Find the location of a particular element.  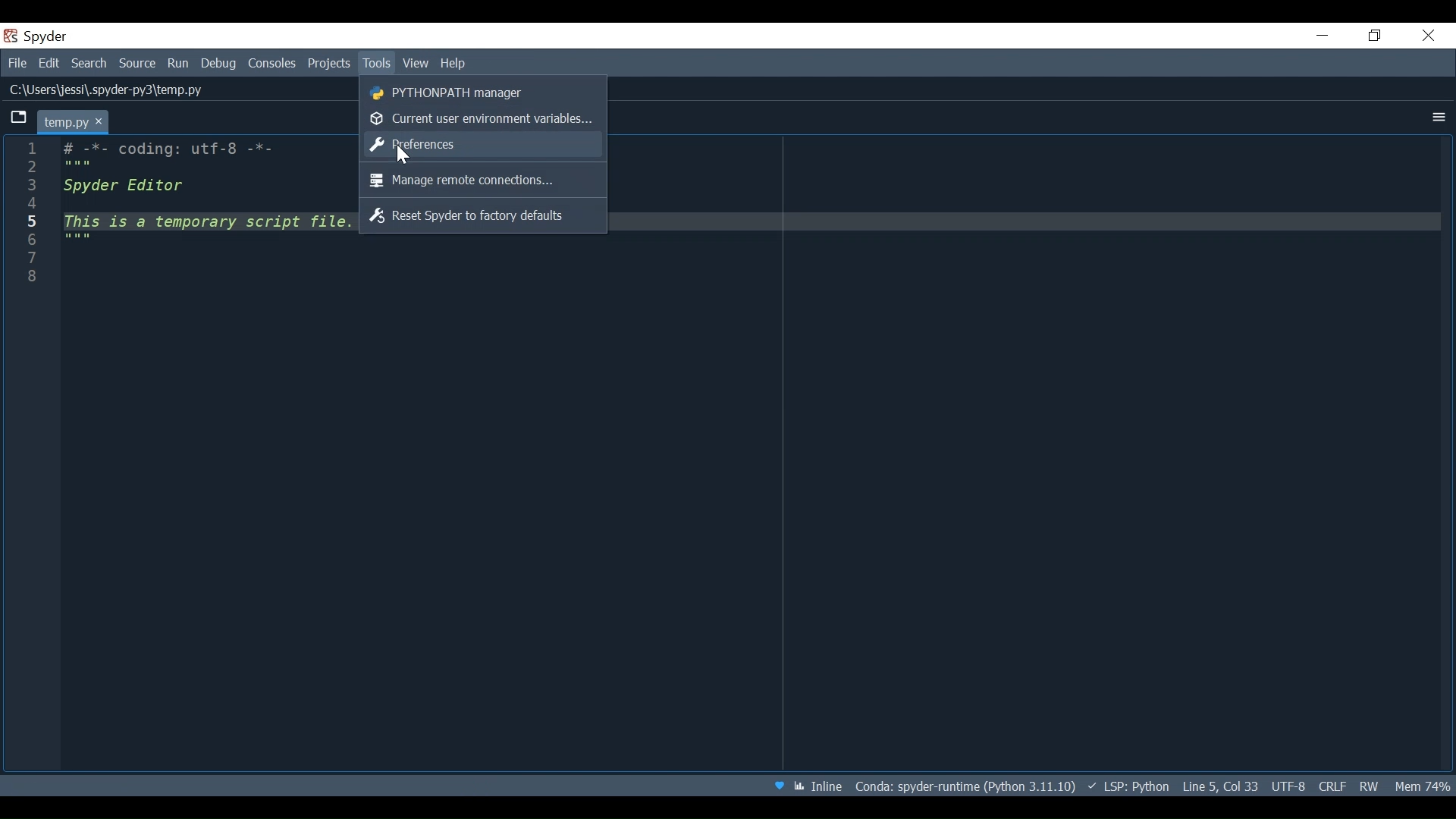

Memory Usage is located at coordinates (1422, 786).